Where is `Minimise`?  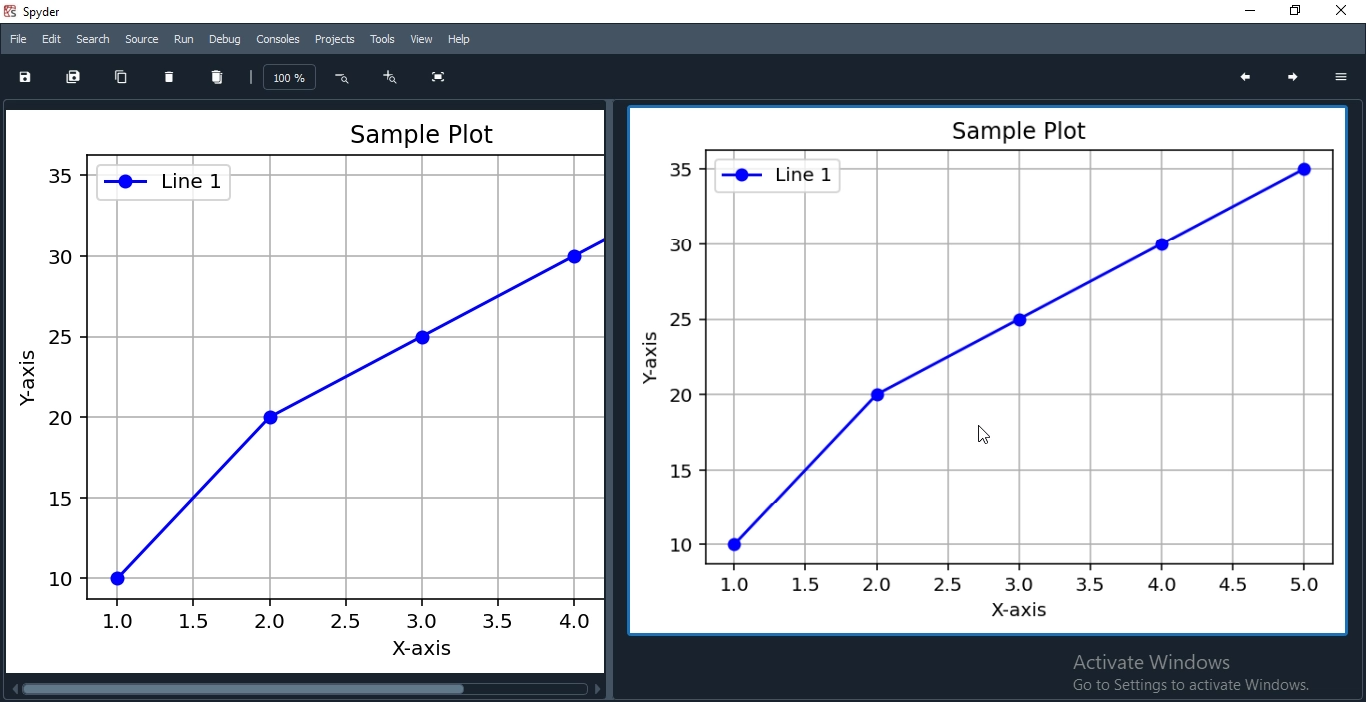 Minimise is located at coordinates (1239, 11).